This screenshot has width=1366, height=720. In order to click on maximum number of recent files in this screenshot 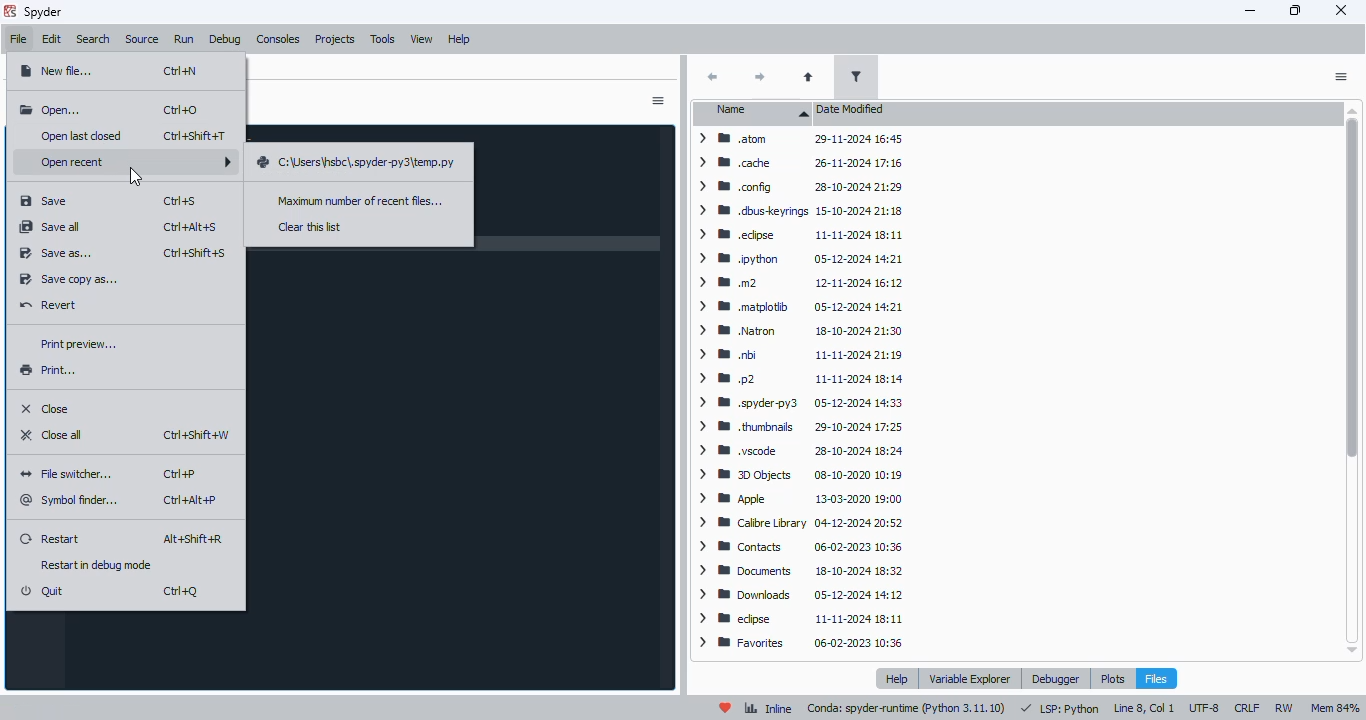, I will do `click(359, 201)`.